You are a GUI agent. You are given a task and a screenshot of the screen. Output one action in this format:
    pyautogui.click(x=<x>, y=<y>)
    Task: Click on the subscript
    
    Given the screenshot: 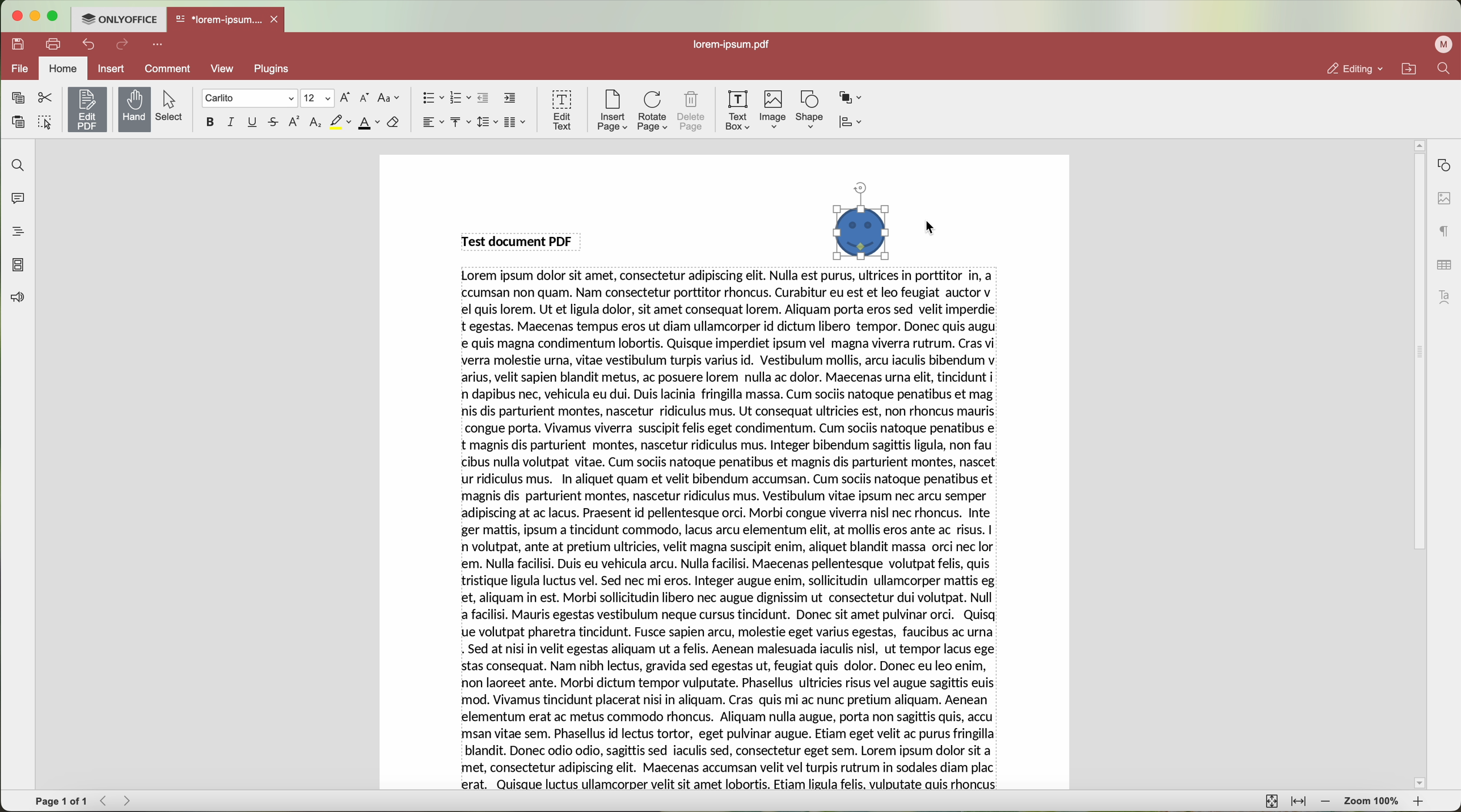 What is the action you would take?
    pyautogui.click(x=315, y=124)
    